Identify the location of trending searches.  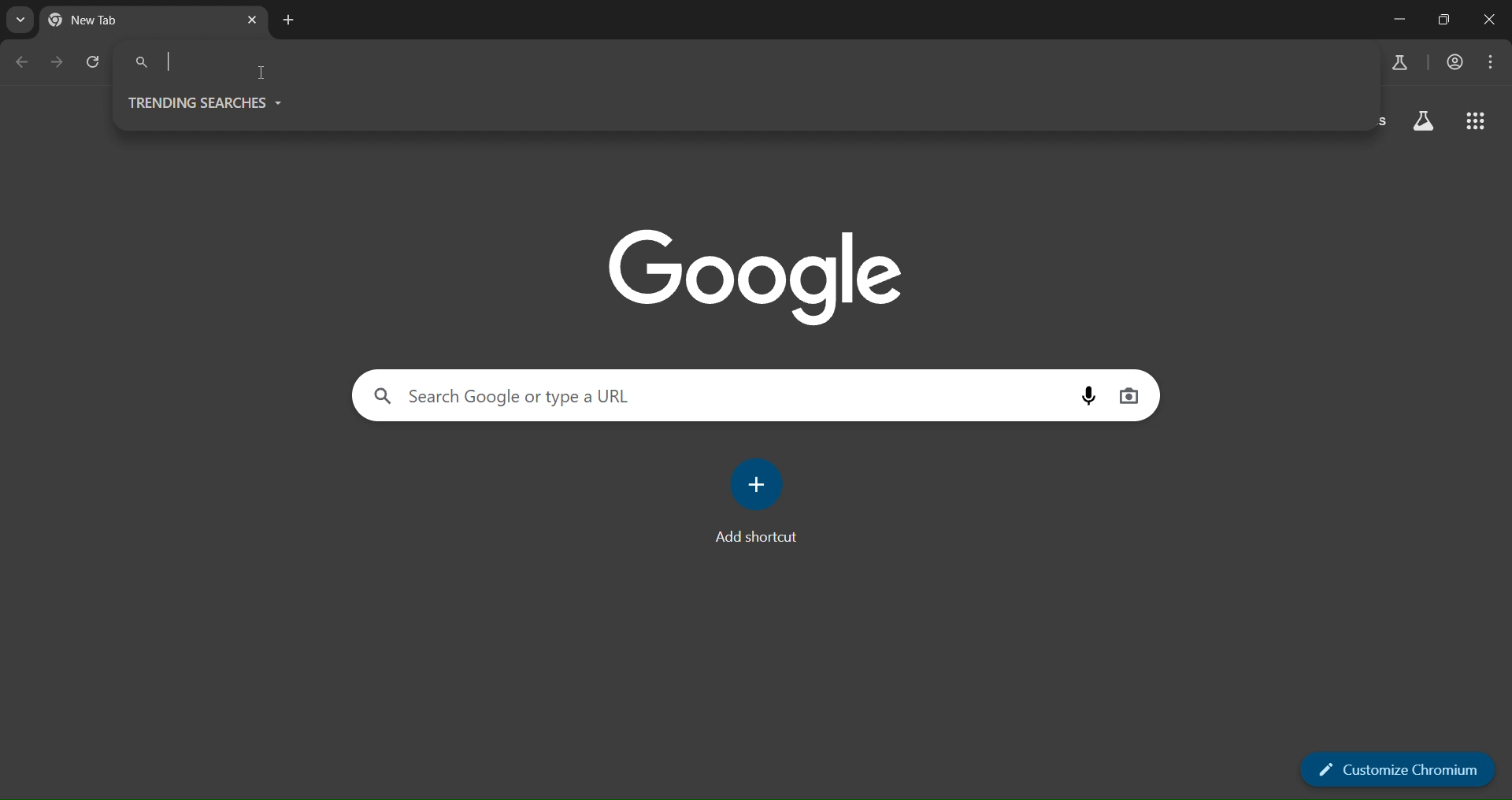
(199, 102).